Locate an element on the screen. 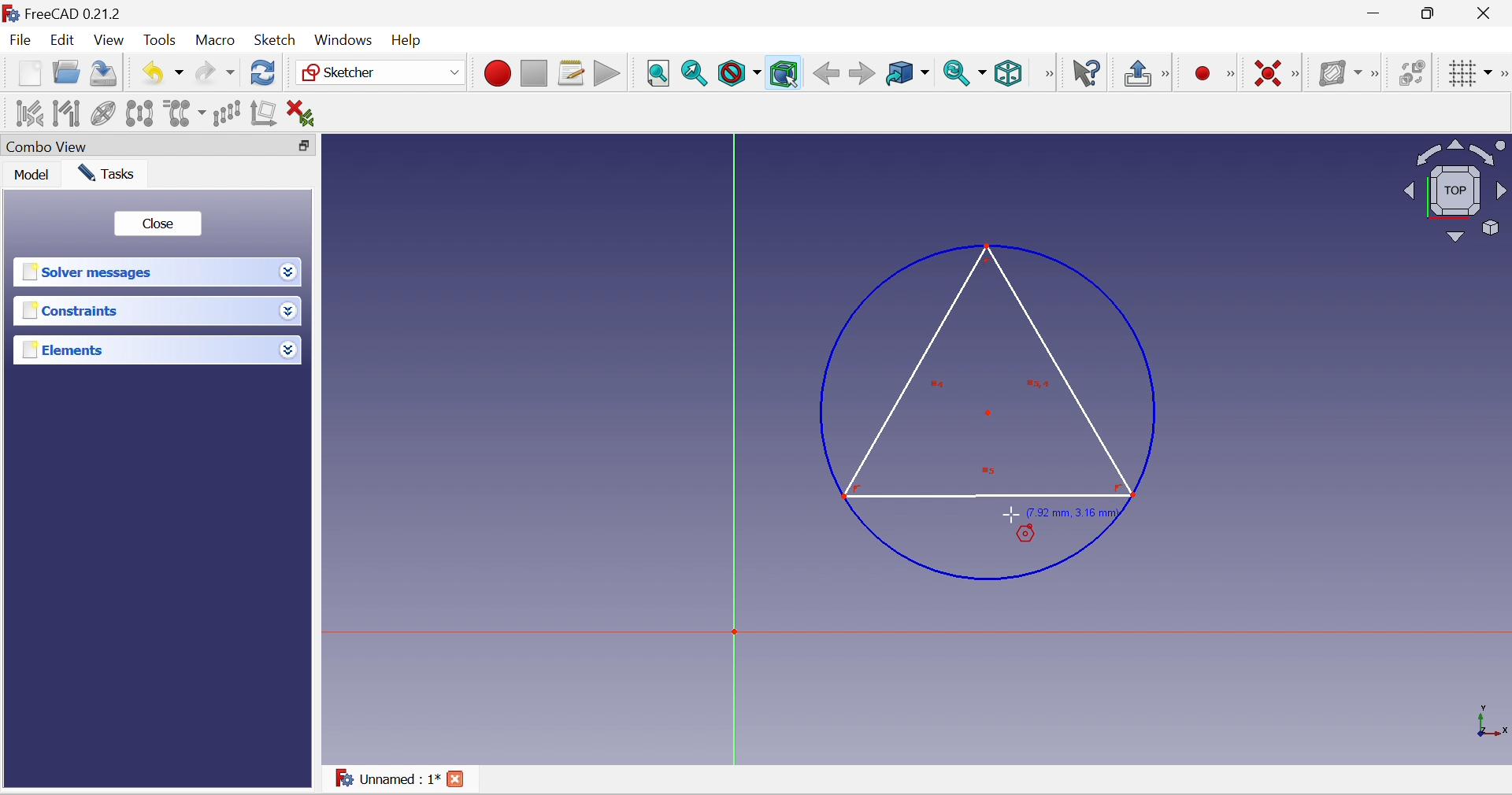 This screenshot has width=1512, height=795. What's this? is located at coordinates (1084, 73).